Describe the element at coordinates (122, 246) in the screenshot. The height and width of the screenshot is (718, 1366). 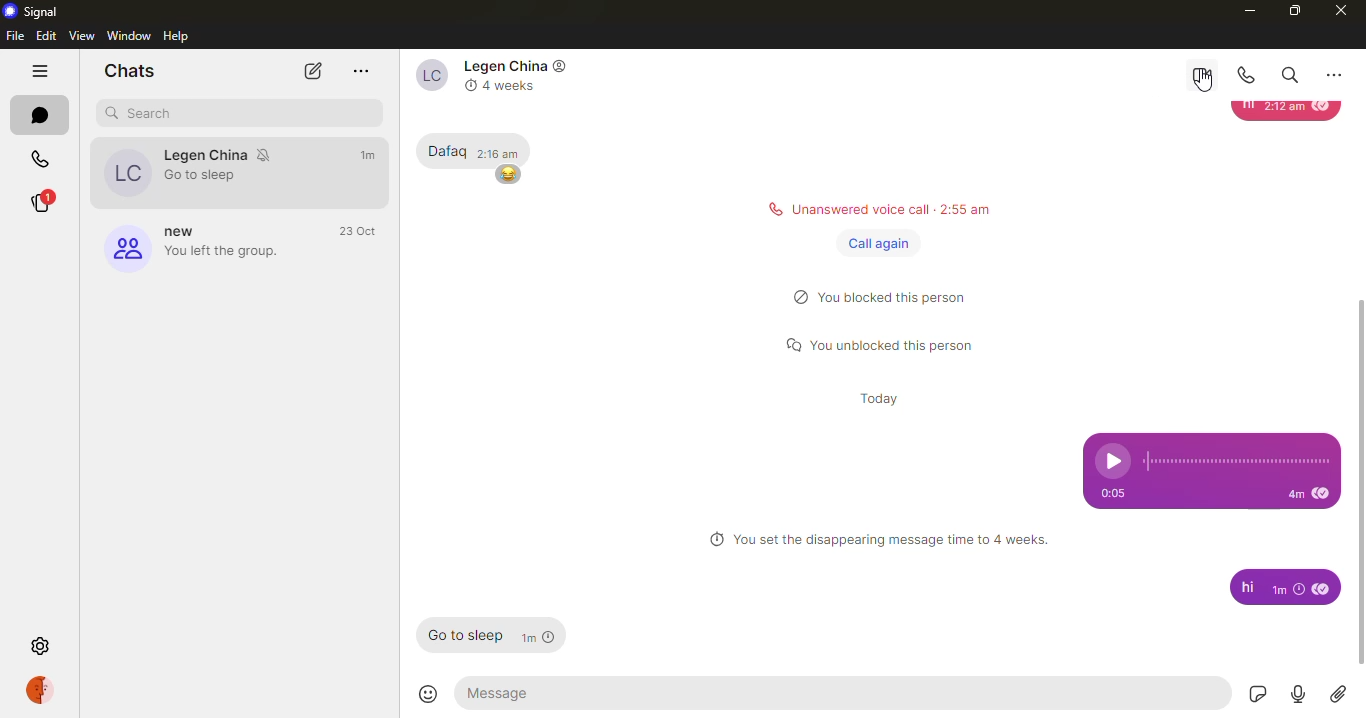
I see `profile` at that location.